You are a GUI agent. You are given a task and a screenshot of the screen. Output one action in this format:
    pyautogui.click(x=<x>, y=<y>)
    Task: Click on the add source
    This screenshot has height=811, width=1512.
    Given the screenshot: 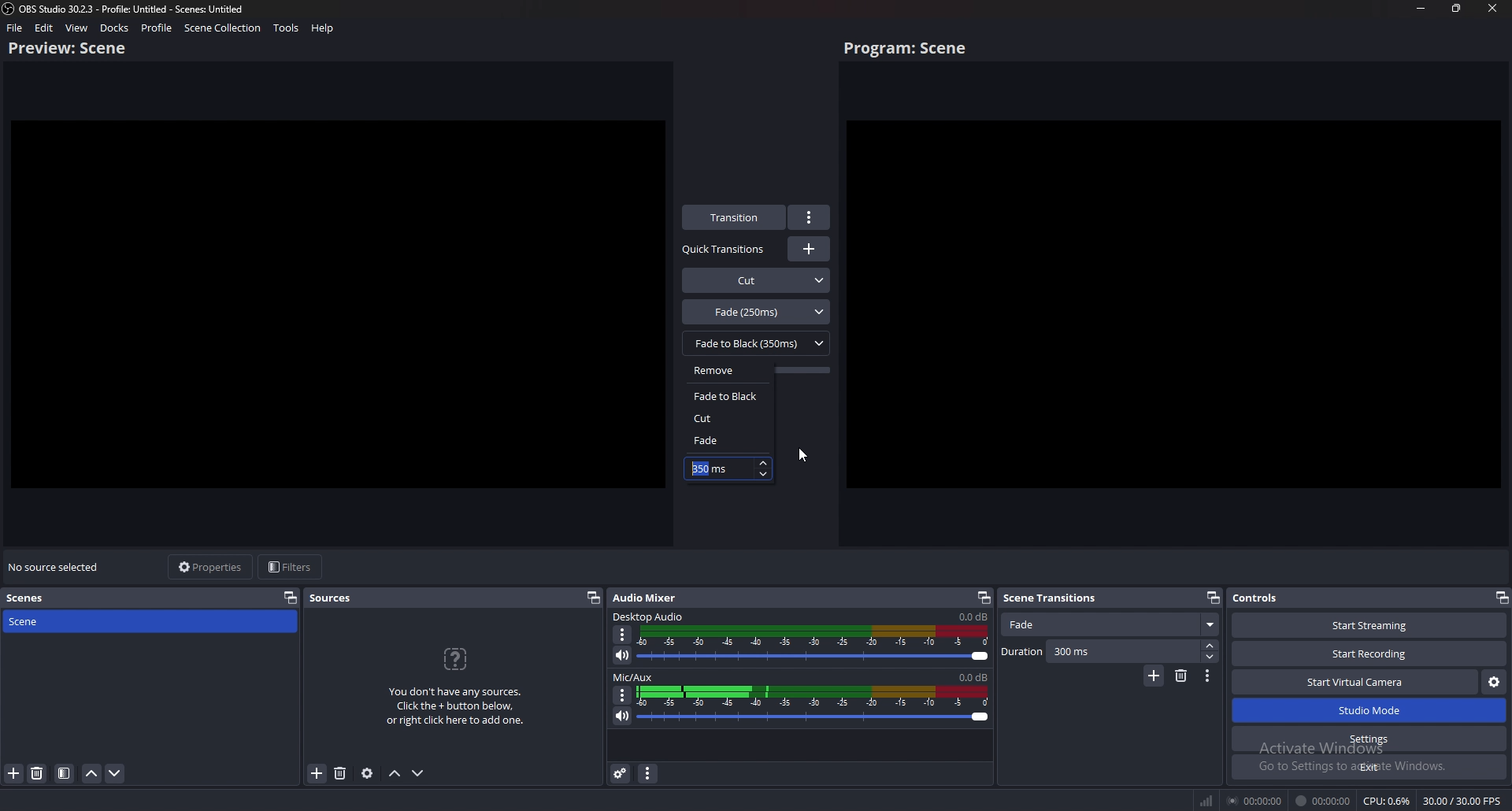 What is the action you would take?
    pyautogui.click(x=317, y=773)
    